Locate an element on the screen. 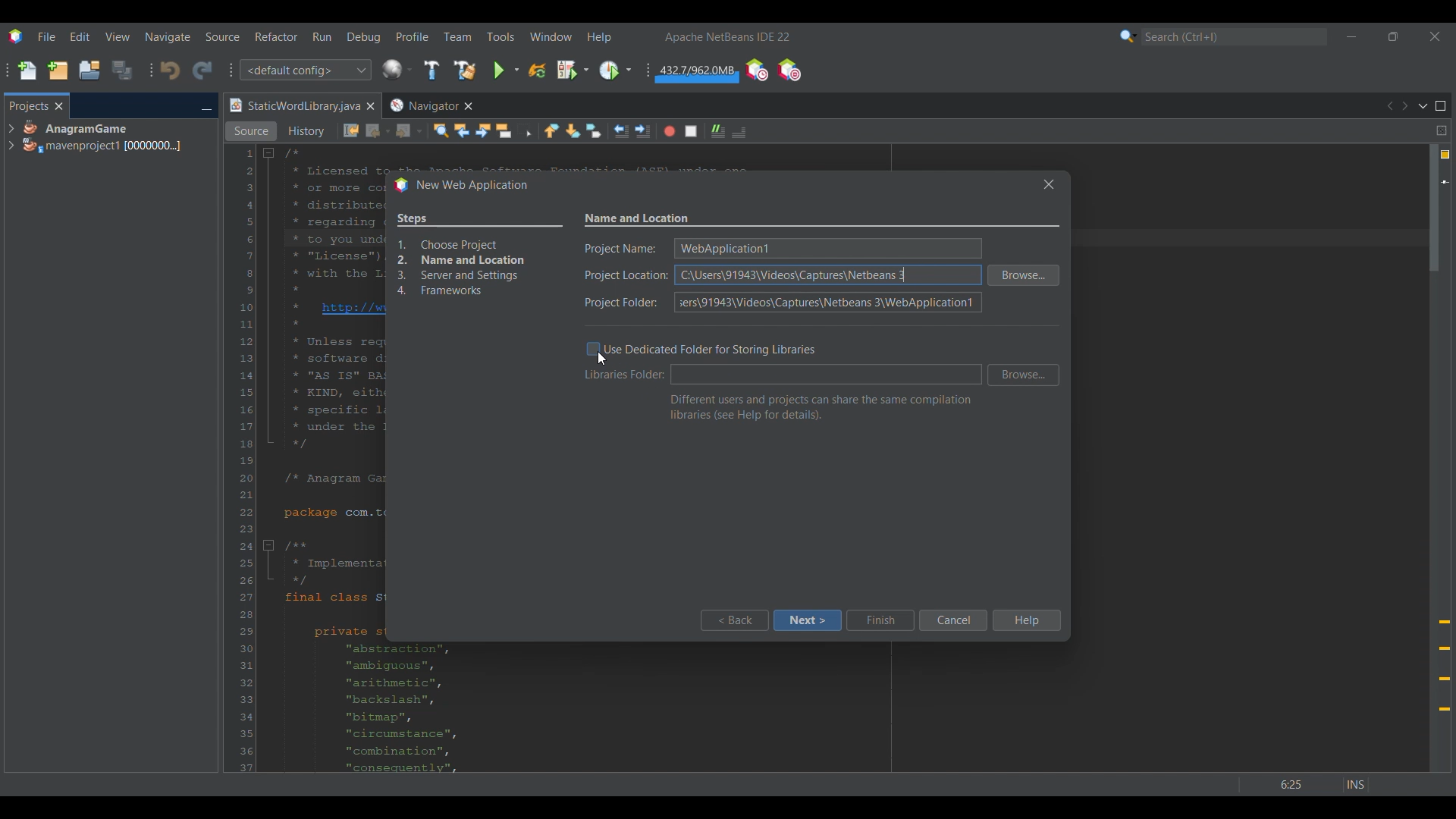 The image size is (1456, 819). Minimize is located at coordinates (1351, 36).